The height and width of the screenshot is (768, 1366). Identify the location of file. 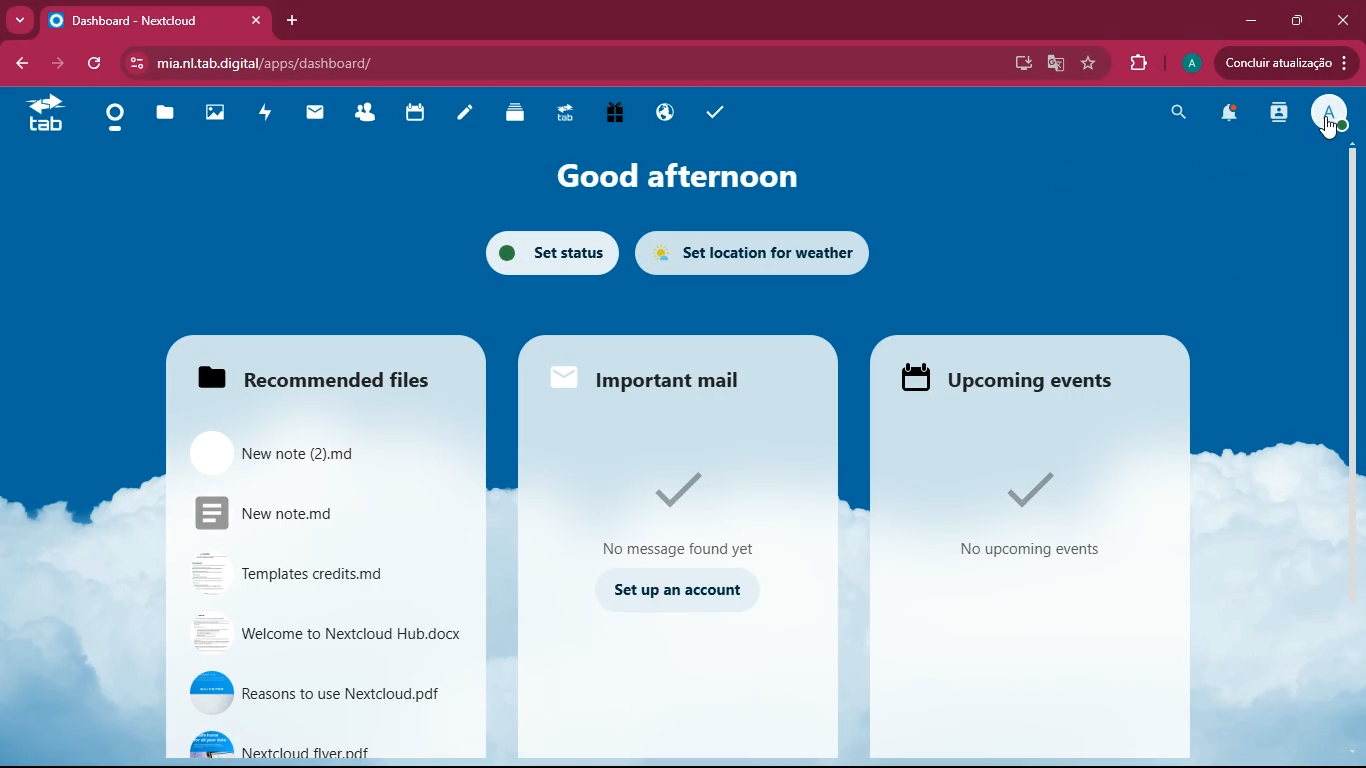
(327, 742).